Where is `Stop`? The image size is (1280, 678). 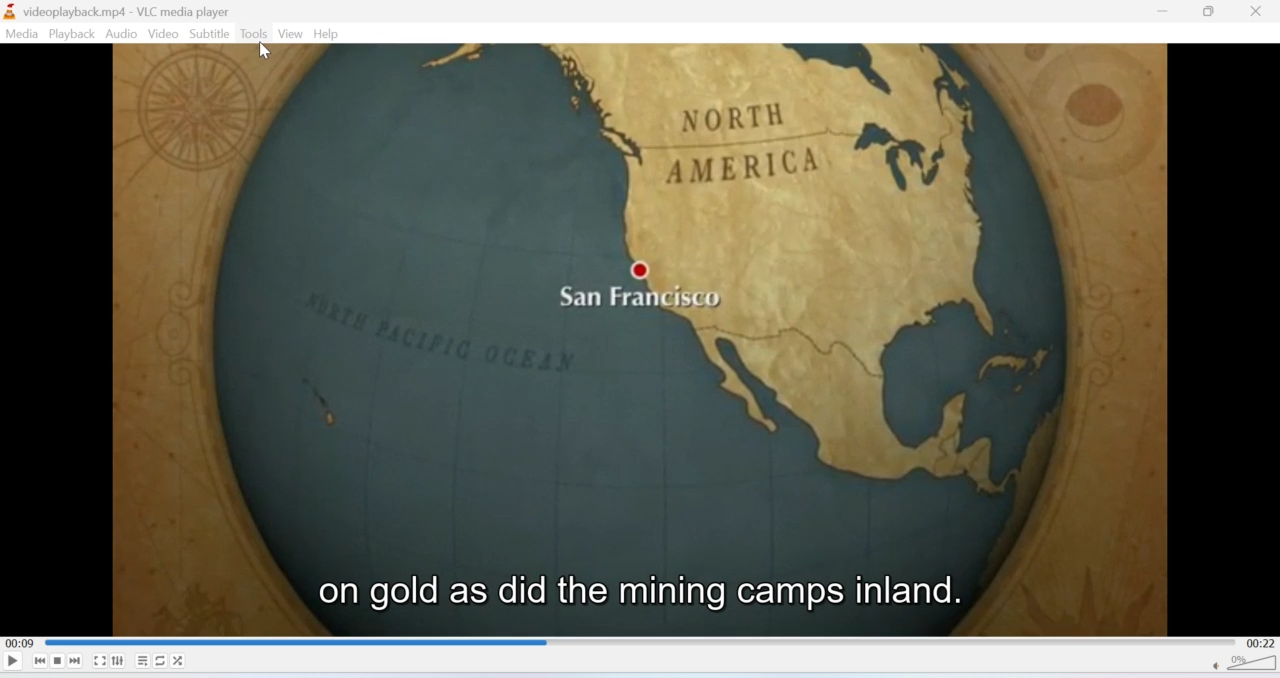
Stop is located at coordinates (58, 661).